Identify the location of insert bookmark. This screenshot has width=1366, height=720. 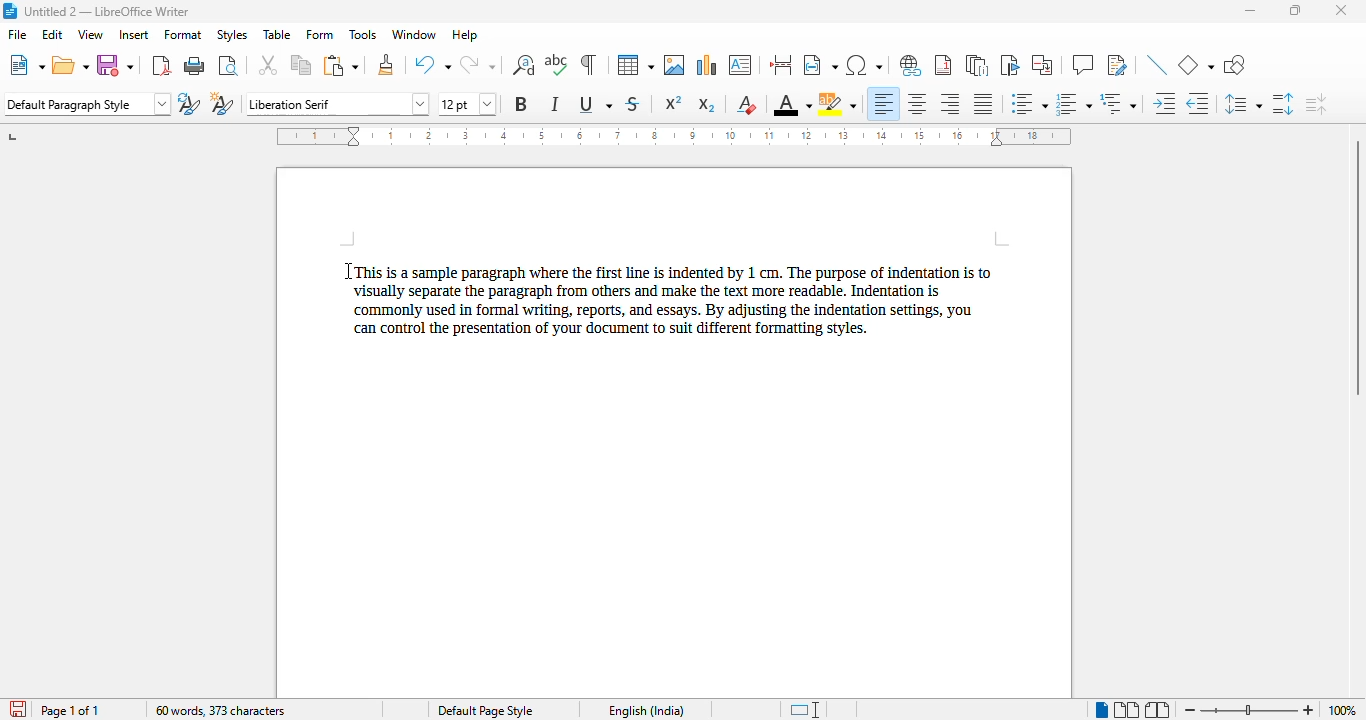
(1010, 65).